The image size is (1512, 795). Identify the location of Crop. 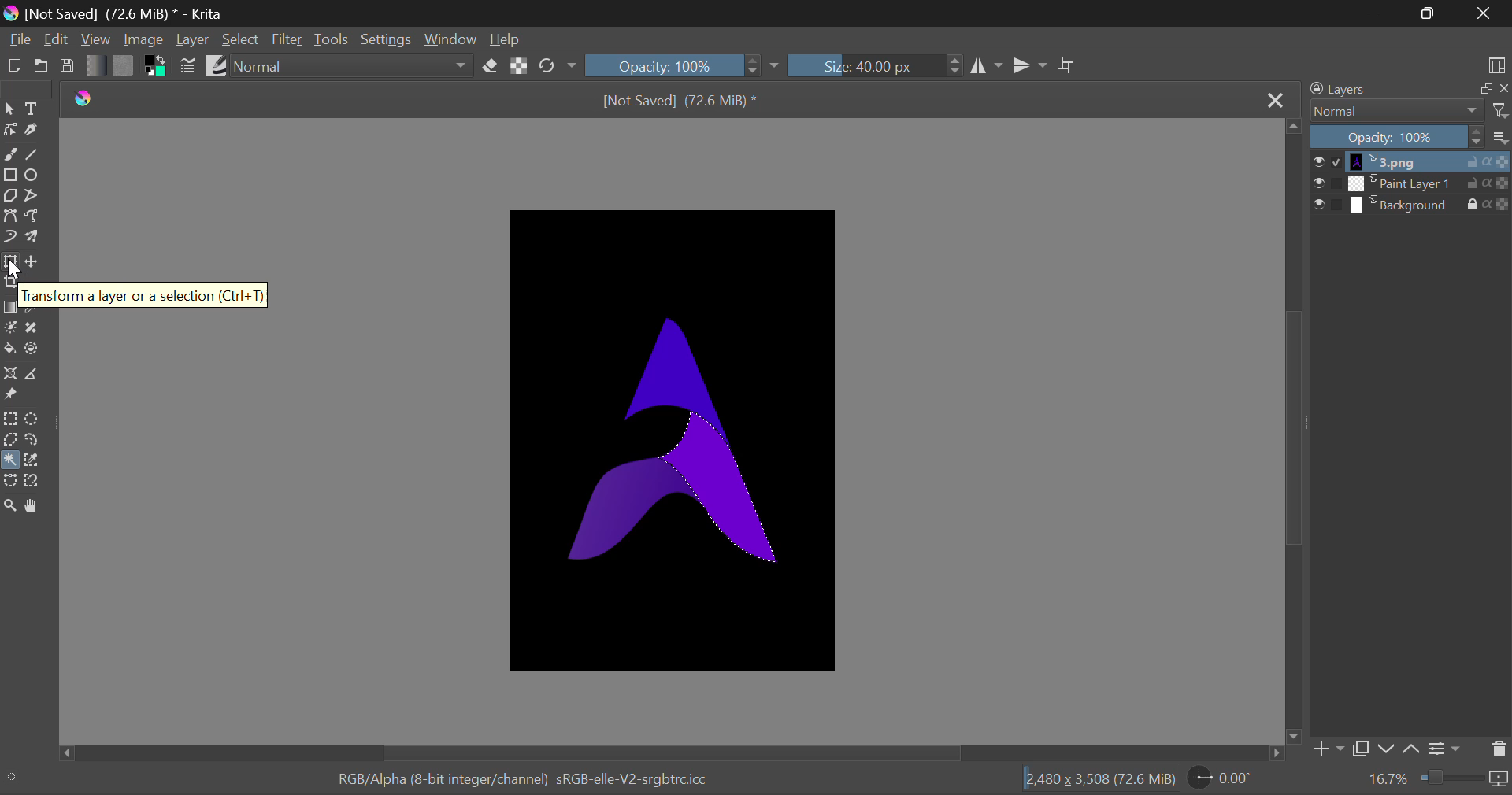
(13, 283).